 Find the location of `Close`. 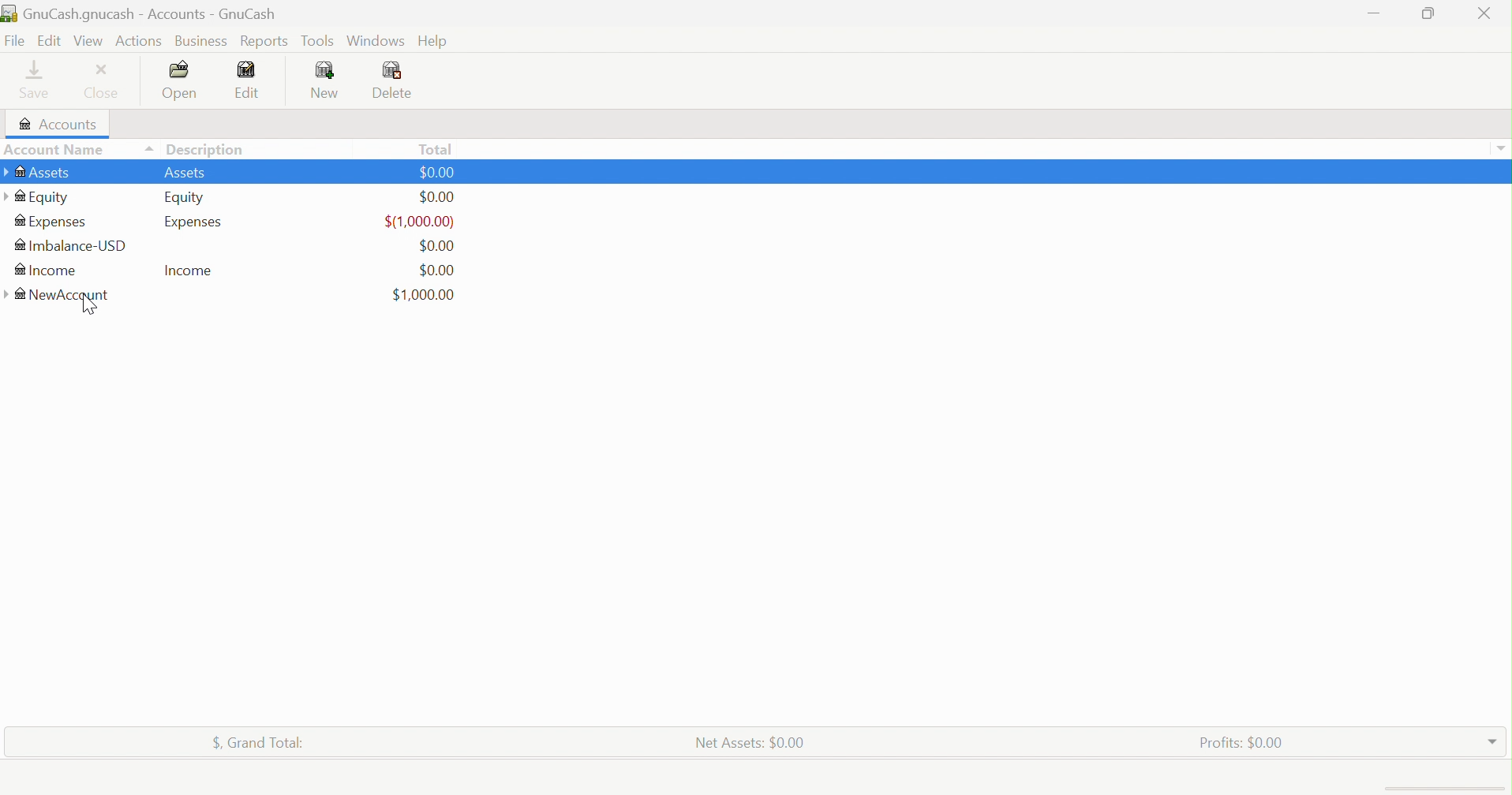

Close is located at coordinates (1490, 12).